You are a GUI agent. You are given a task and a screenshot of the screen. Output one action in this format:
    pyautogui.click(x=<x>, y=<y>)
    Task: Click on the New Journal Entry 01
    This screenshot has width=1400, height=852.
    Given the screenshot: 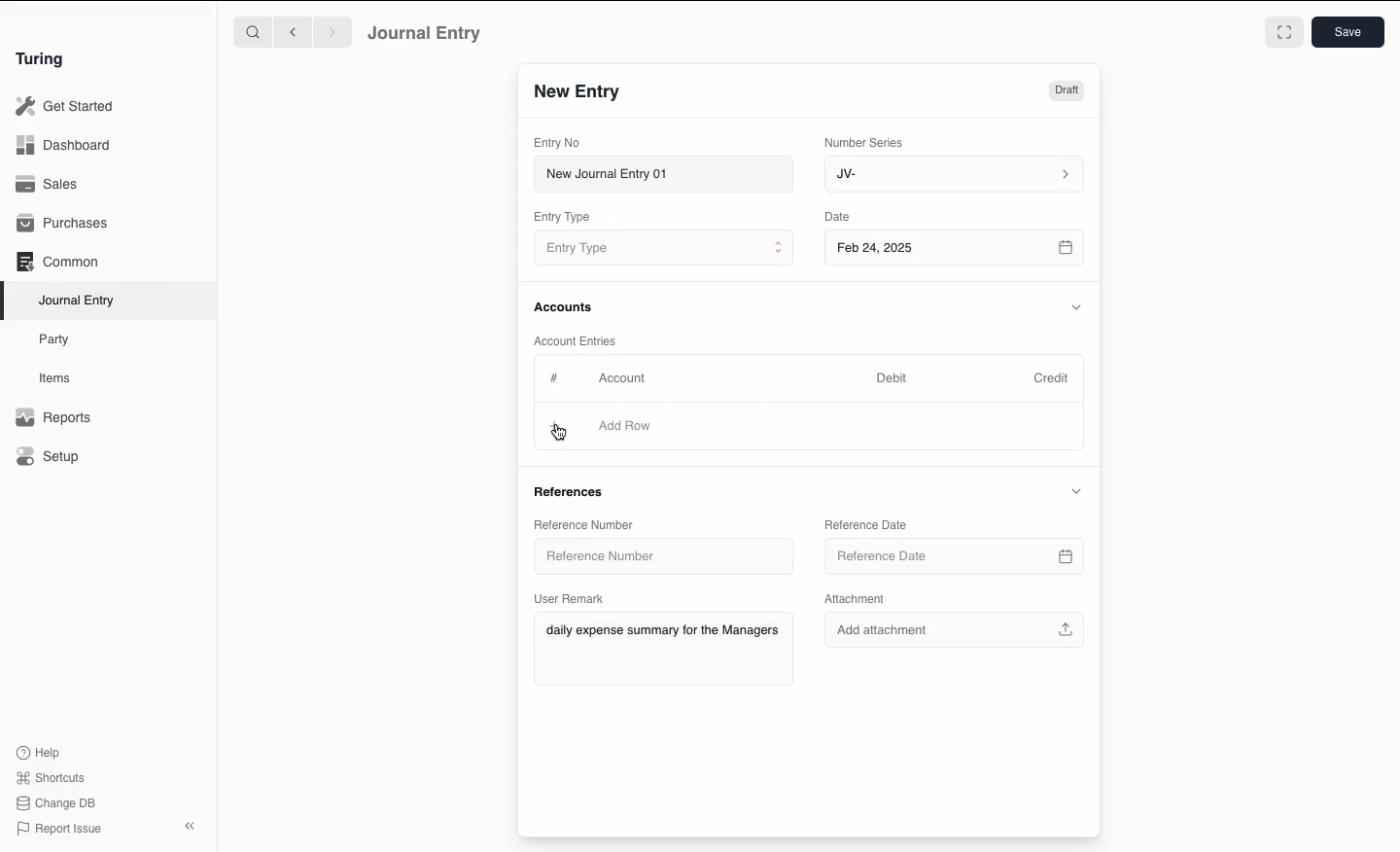 What is the action you would take?
    pyautogui.click(x=662, y=173)
    